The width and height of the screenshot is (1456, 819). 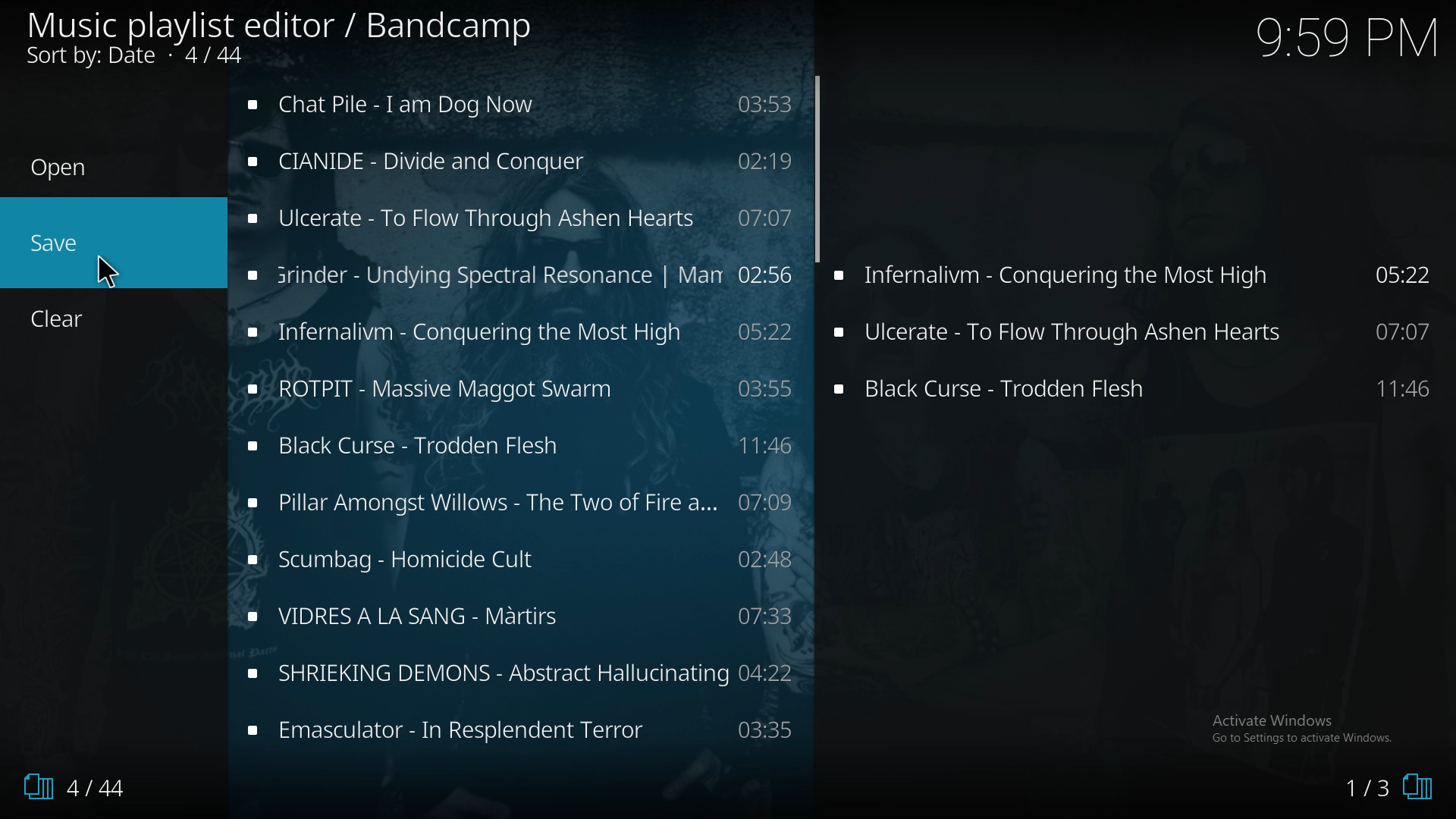 What do you see at coordinates (523, 504) in the screenshot?
I see `music` at bounding box center [523, 504].